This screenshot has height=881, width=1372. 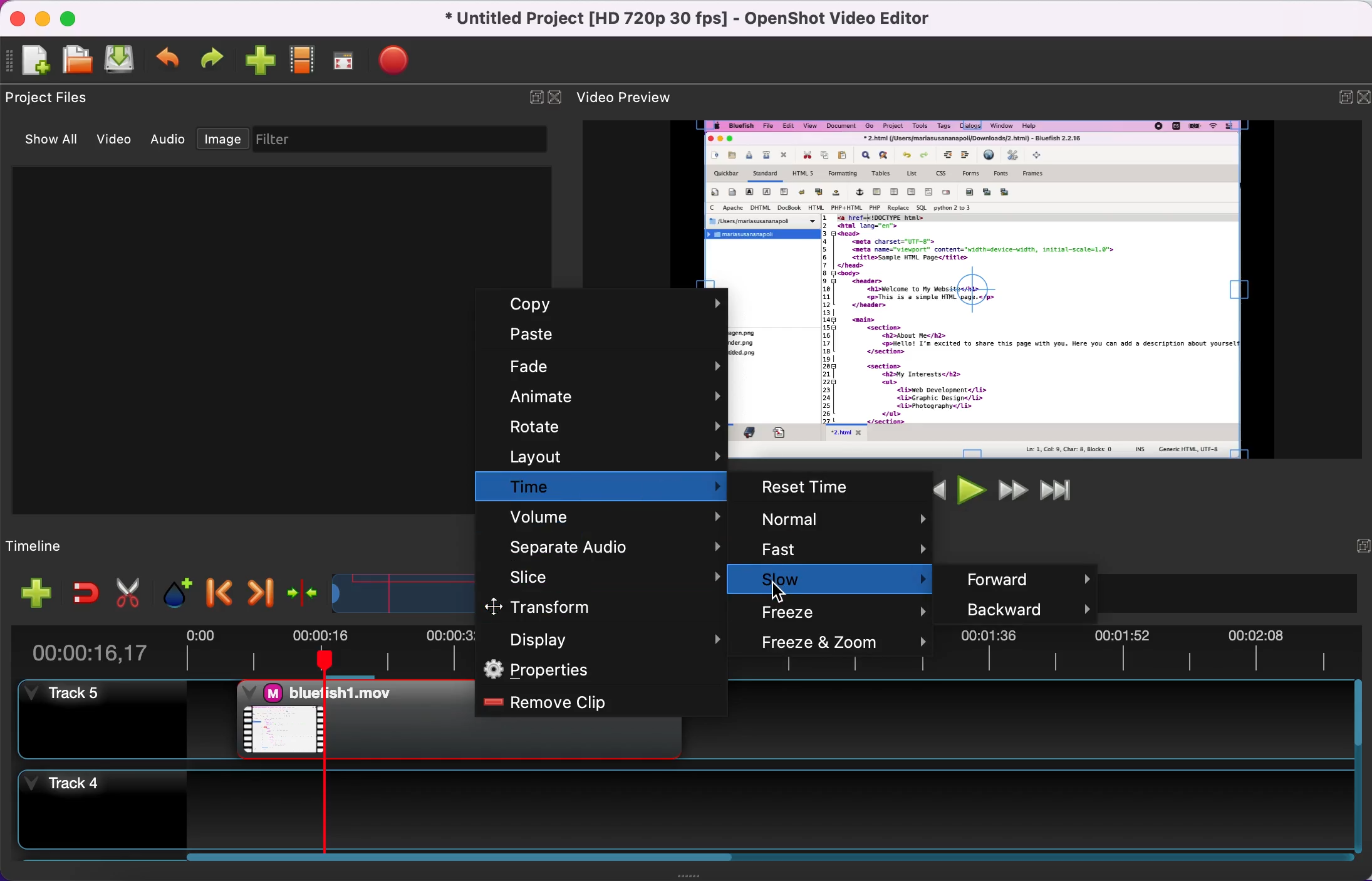 What do you see at coordinates (1019, 608) in the screenshot?
I see `backward` at bounding box center [1019, 608].